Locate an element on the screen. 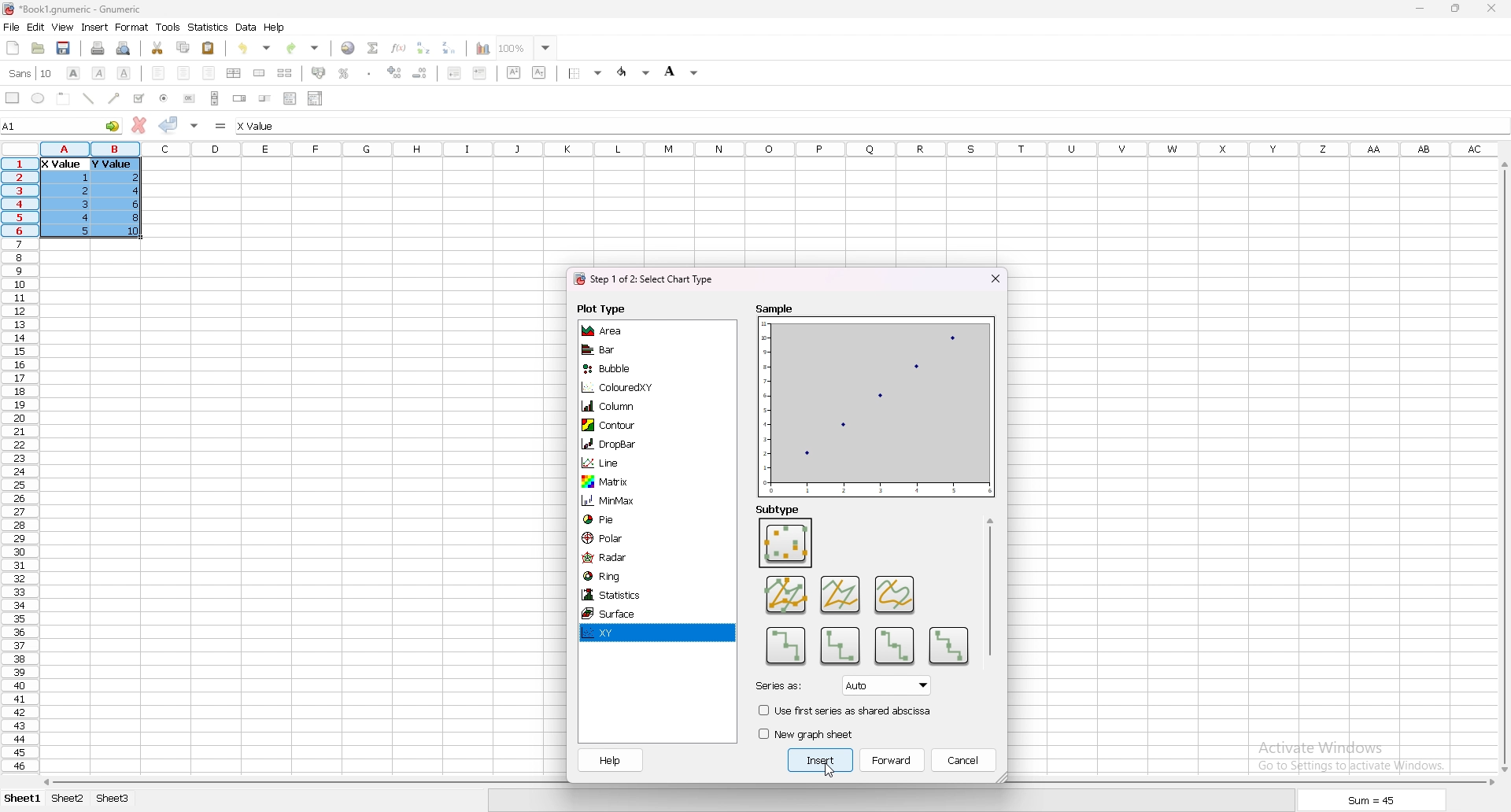 The image size is (1511, 812). pie is located at coordinates (629, 519).